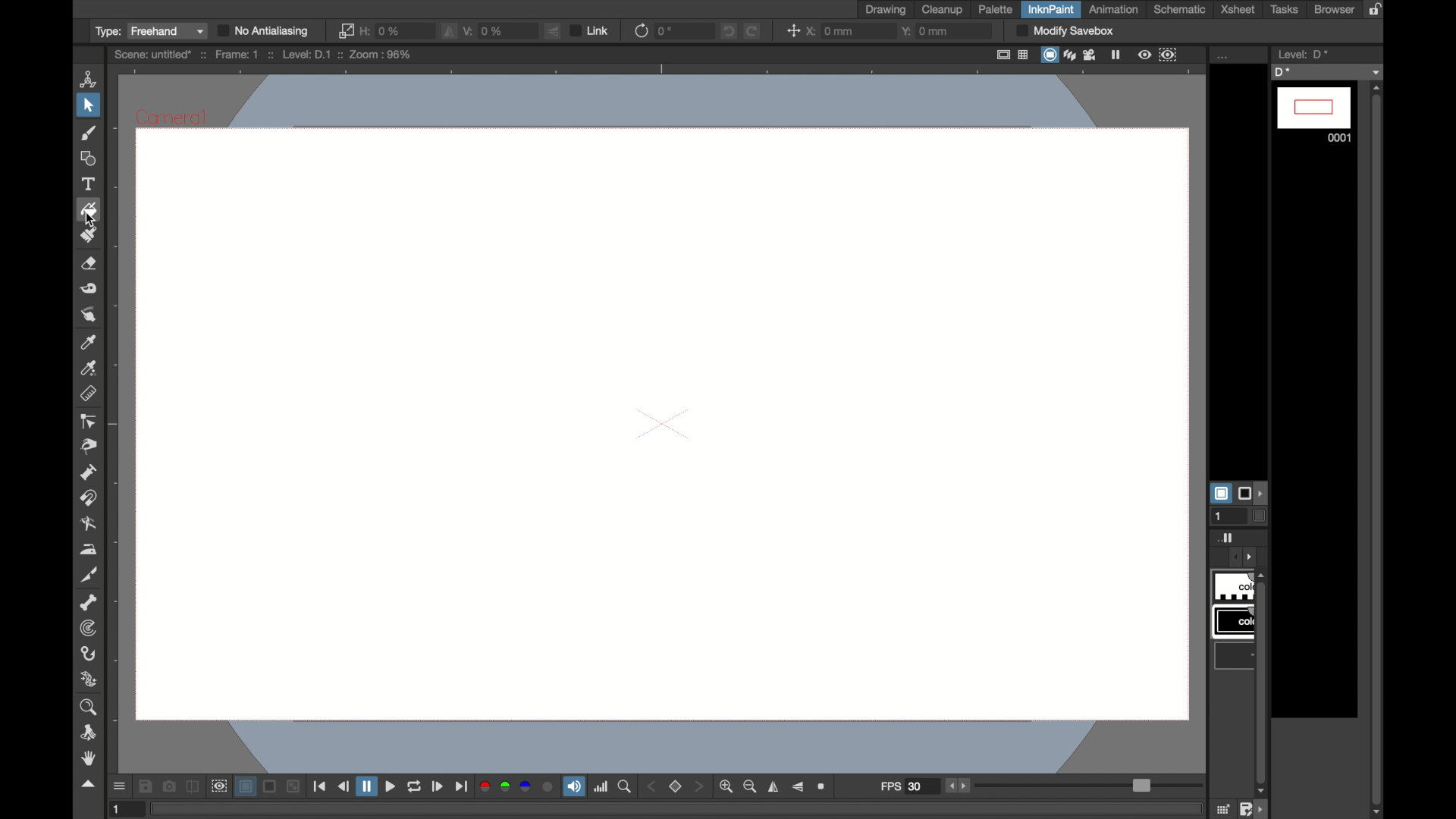 The image size is (1456, 819). What do you see at coordinates (678, 786) in the screenshot?
I see `stop` at bounding box center [678, 786].